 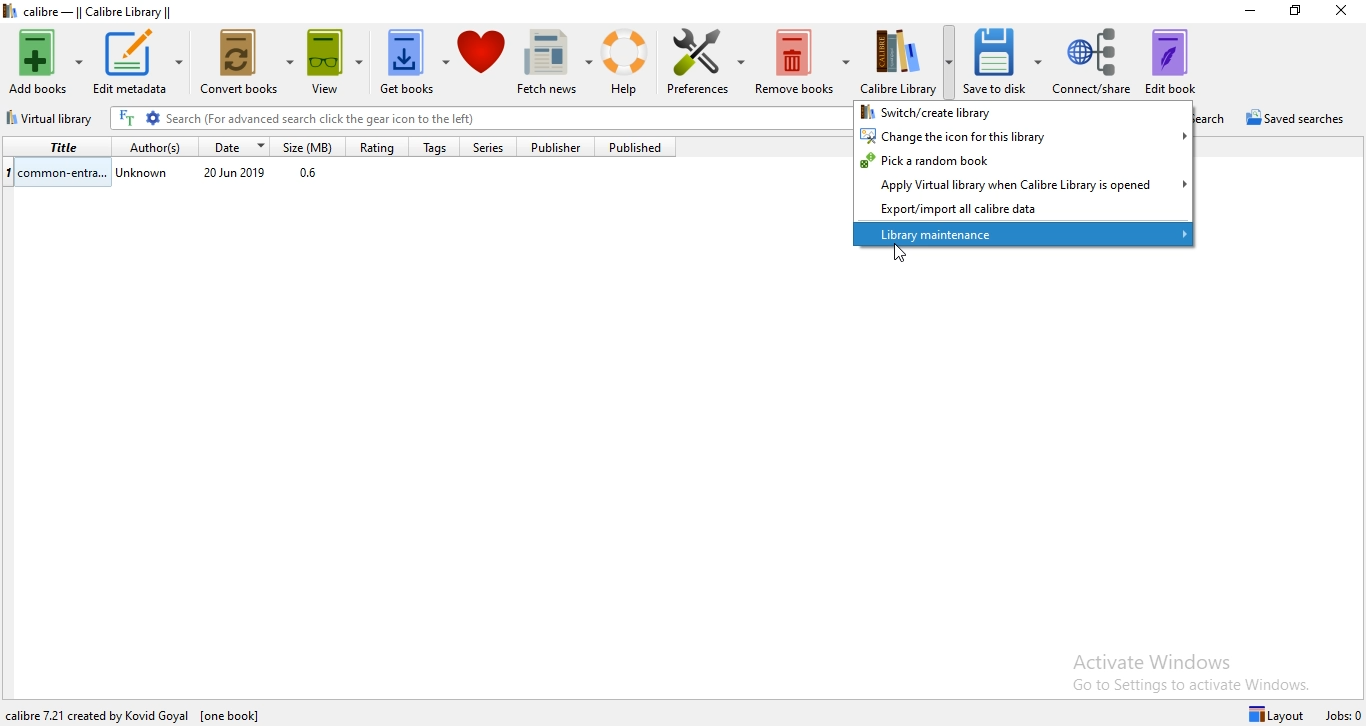 I want to click on export/import all calibre data, so click(x=1022, y=210).